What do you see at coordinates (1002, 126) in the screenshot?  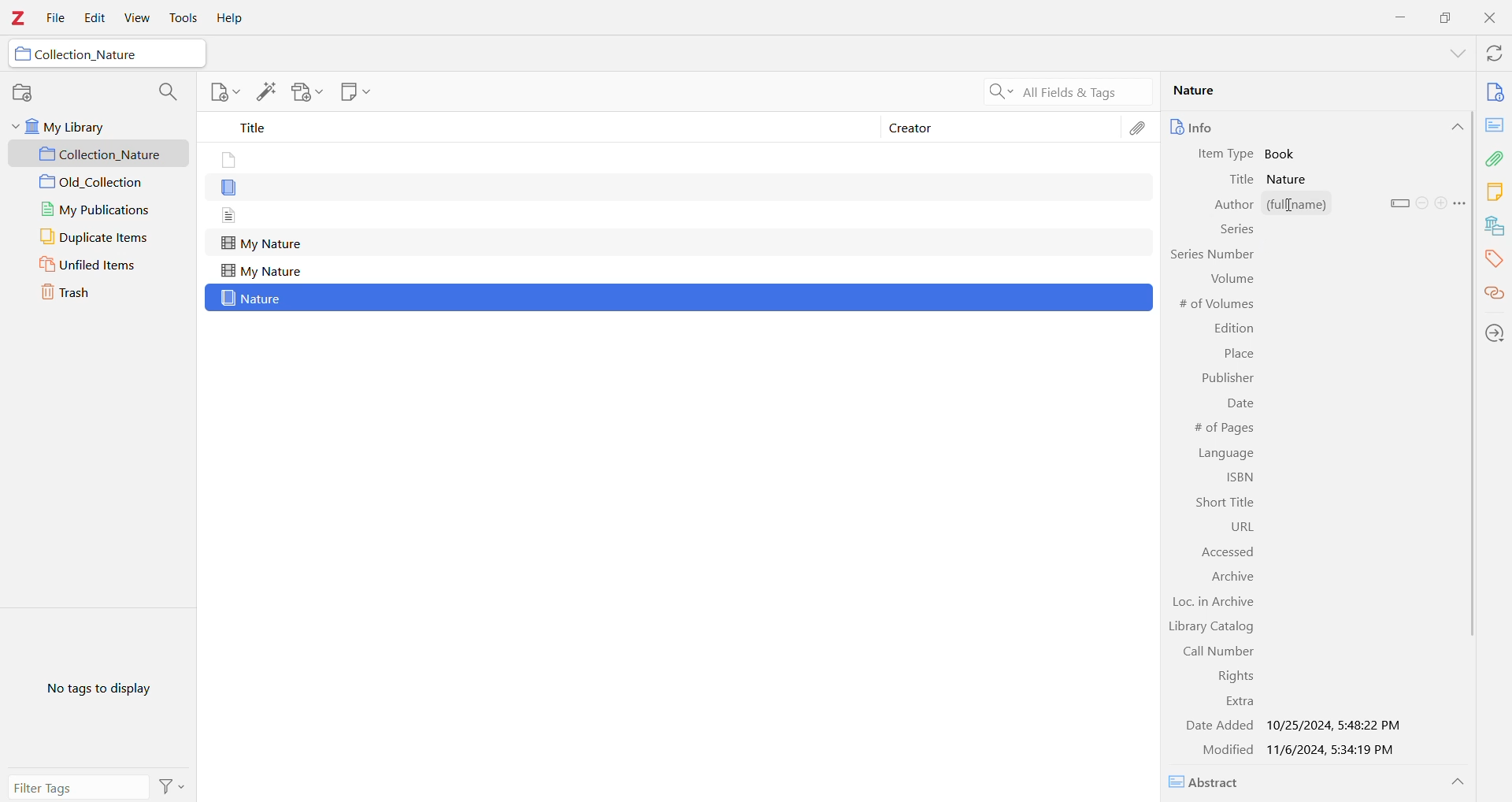 I see `Creator` at bounding box center [1002, 126].